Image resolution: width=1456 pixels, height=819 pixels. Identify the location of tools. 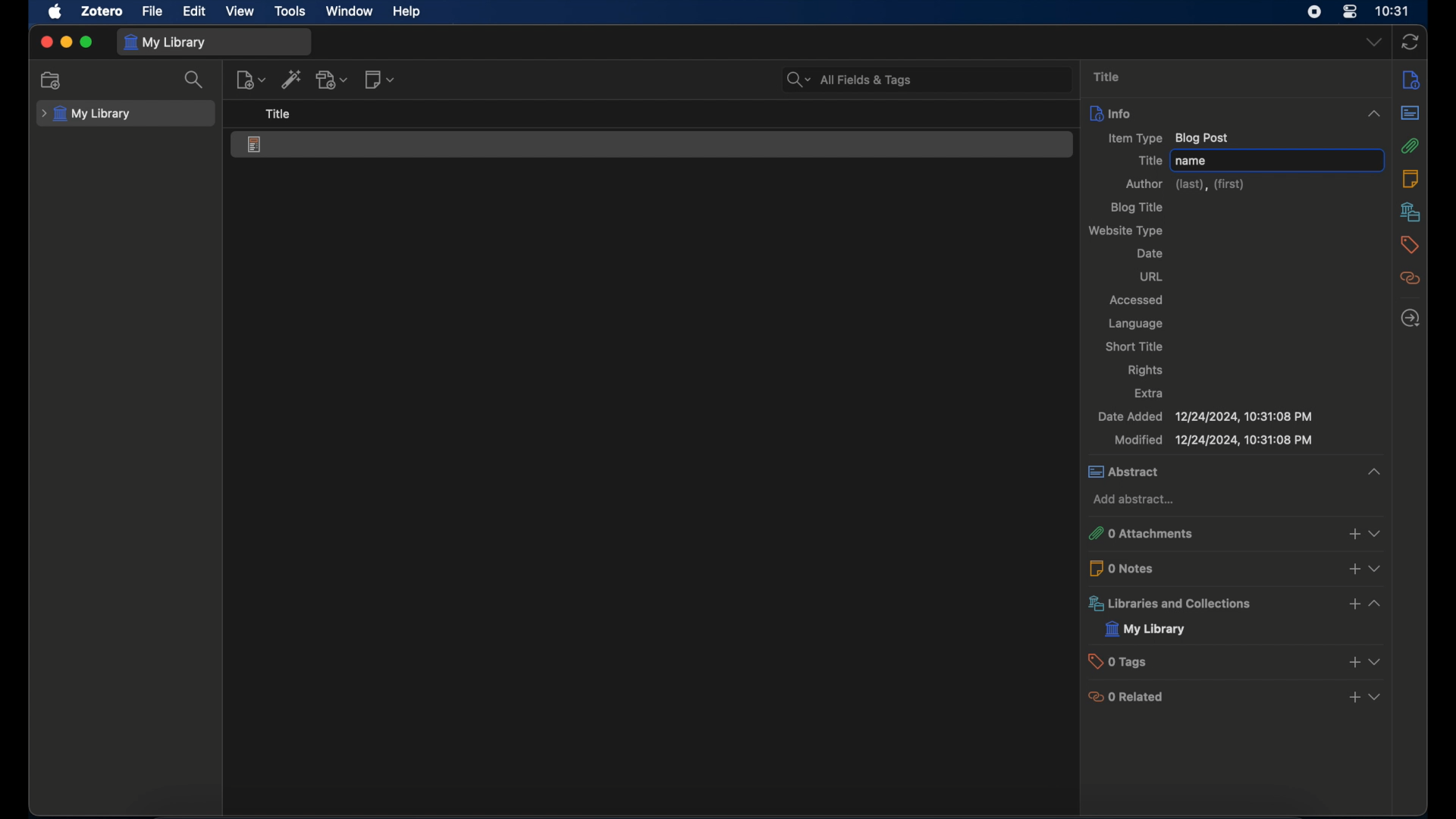
(290, 11).